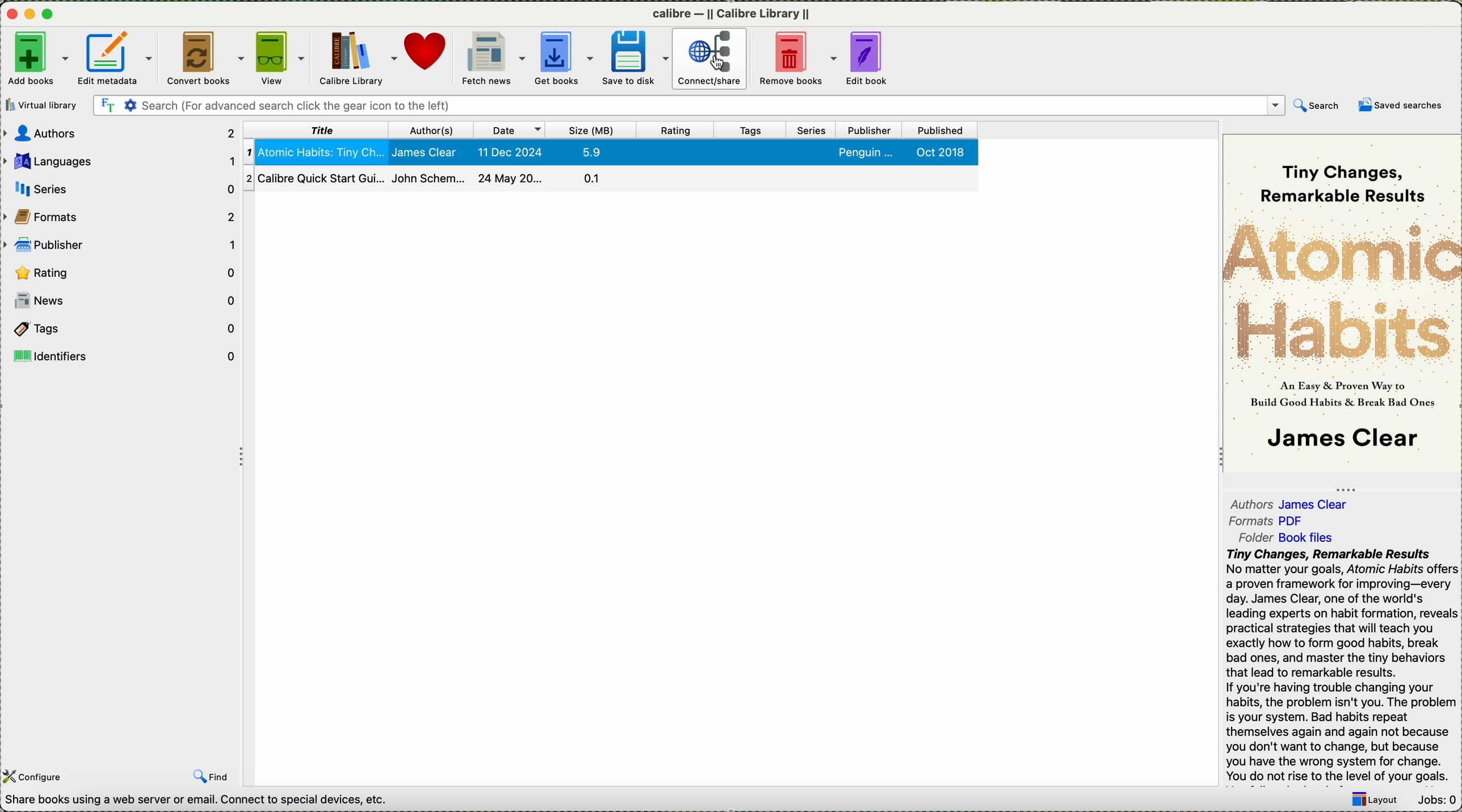 The width and height of the screenshot is (1462, 812). What do you see at coordinates (1438, 801) in the screenshot?
I see `Jobs: 0` at bounding box center [1438, 801].